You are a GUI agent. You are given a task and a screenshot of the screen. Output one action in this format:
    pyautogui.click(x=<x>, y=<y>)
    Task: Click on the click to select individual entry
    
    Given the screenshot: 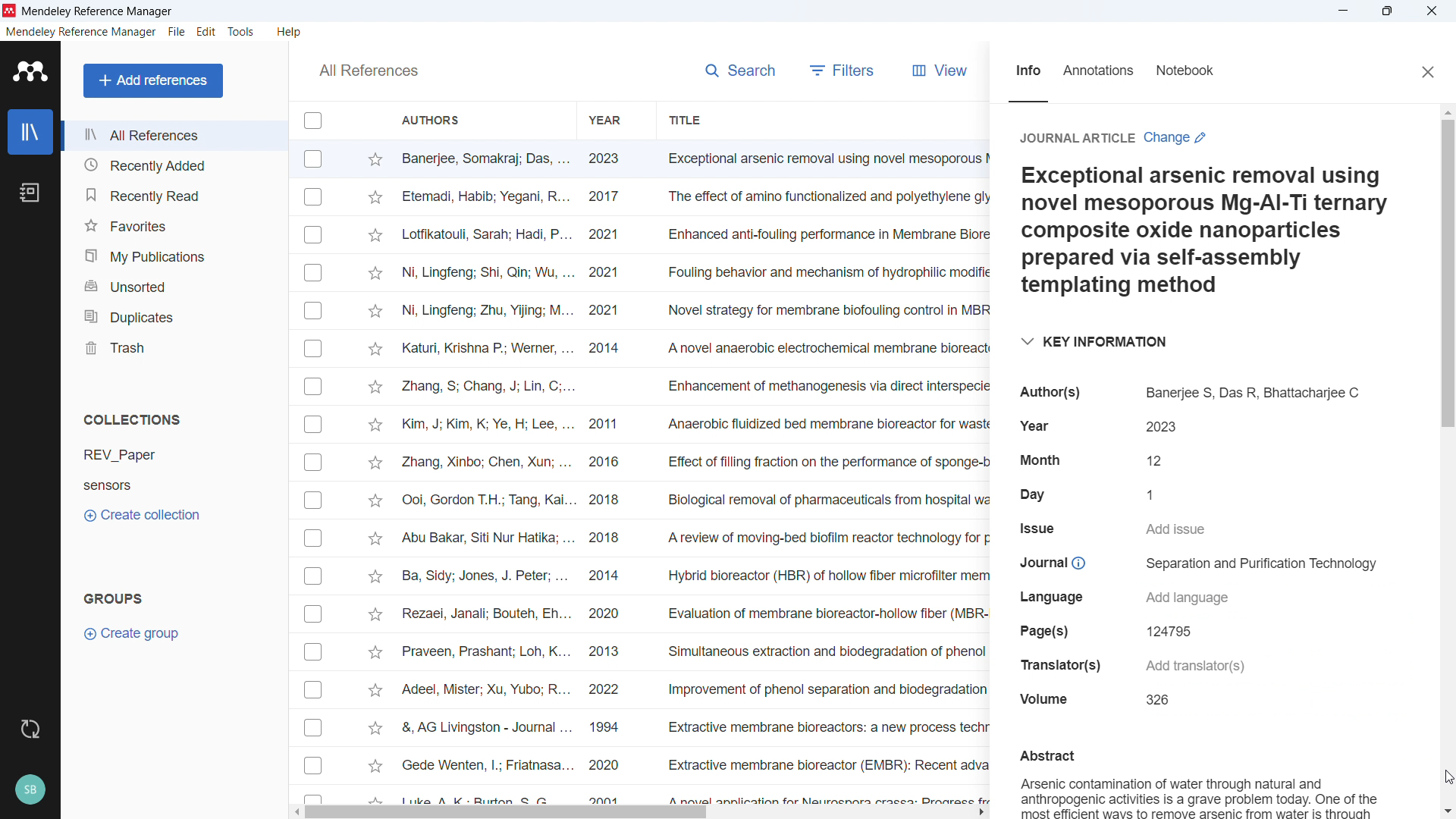 What is the action you would take?
    pyautogui.click(x=316, y=426)
    